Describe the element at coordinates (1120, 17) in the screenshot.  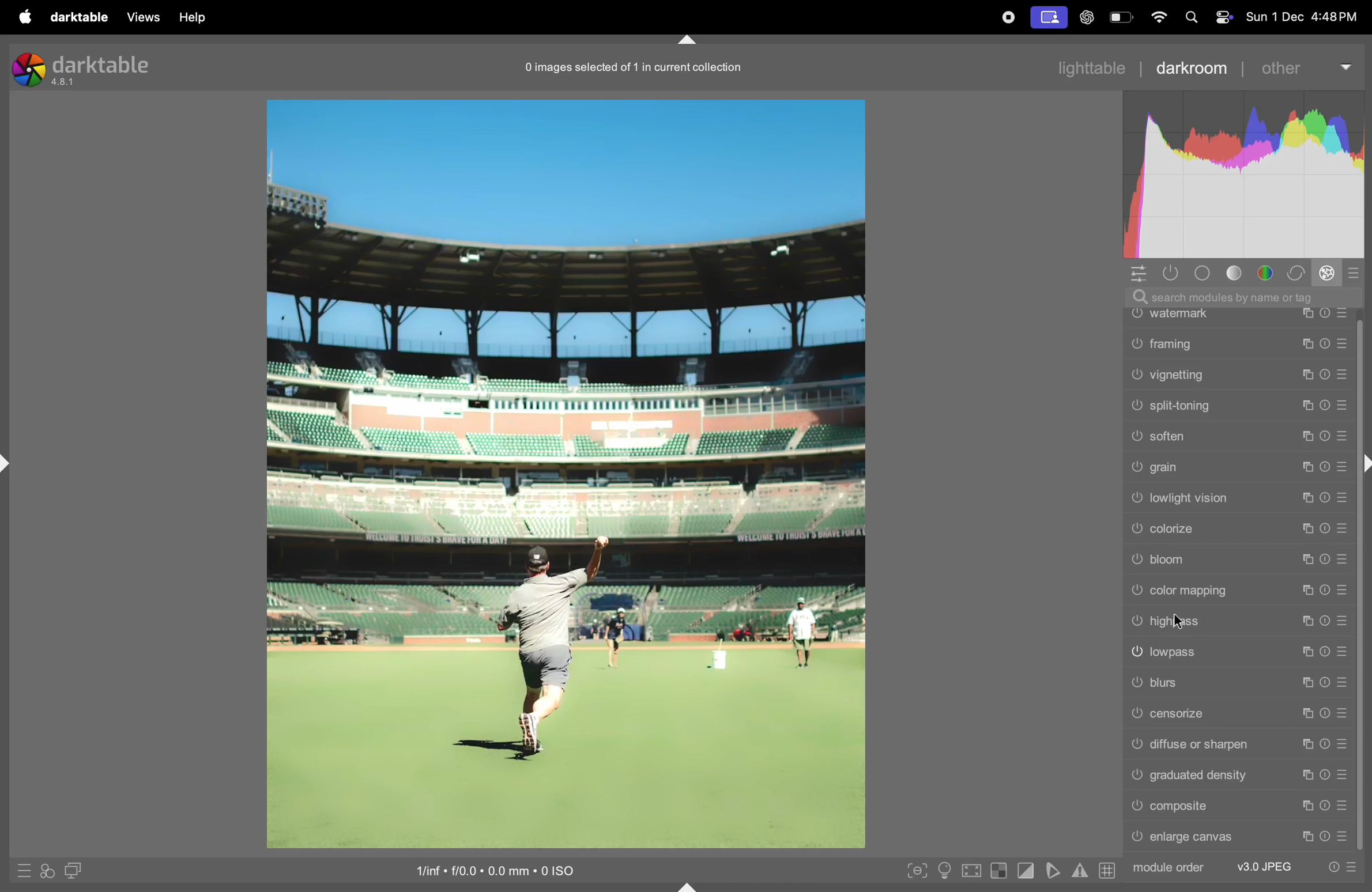
I see `battery` at that location.